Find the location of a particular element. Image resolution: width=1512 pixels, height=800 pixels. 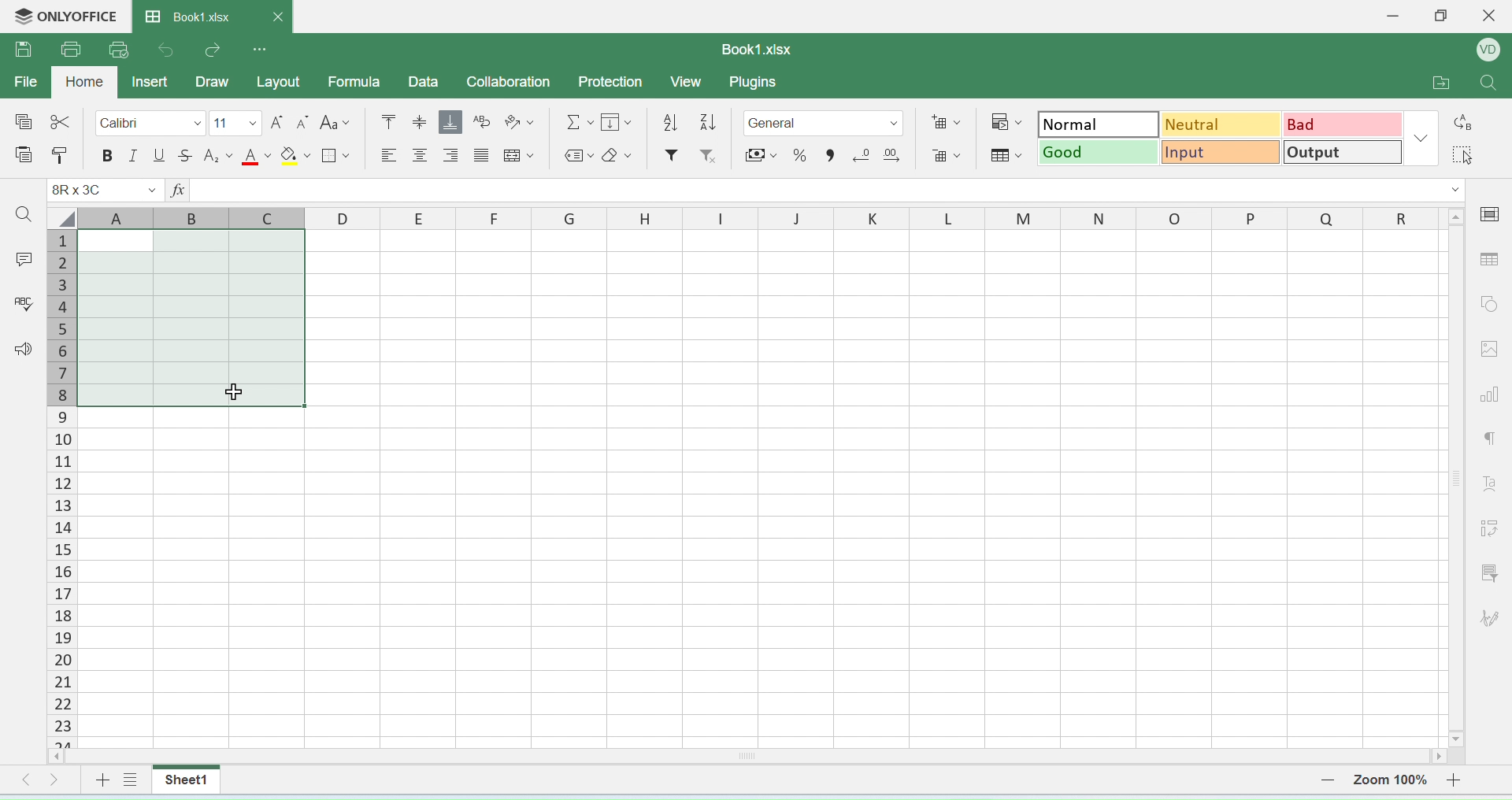

ascending order is located at coordinates (710, 122).